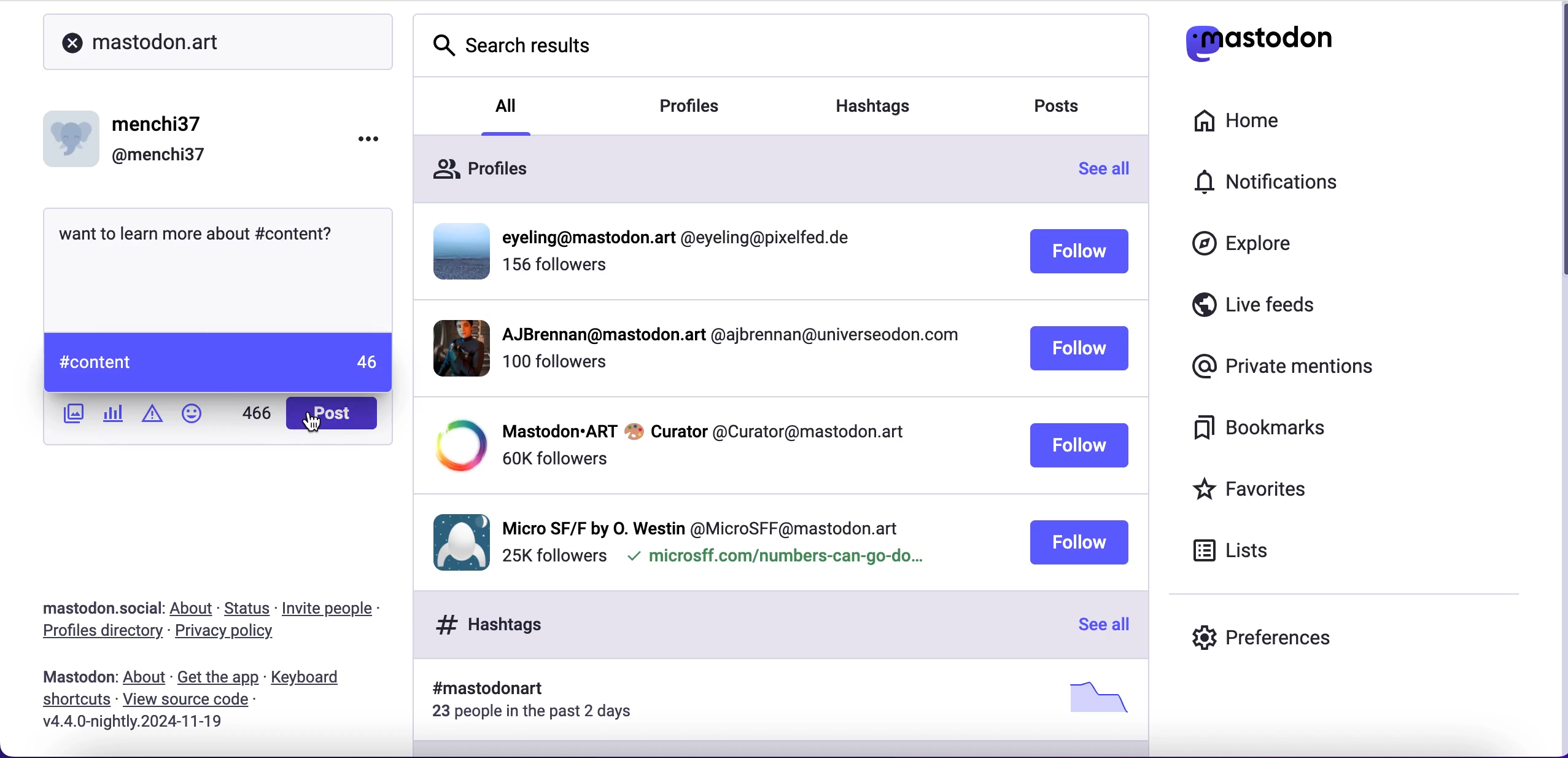 Image resolution: width=1568 pixels, height=758 pixels. Describe the element at coordinates (98, 608) in the screenshot. I see `mastodon.social` at that location.